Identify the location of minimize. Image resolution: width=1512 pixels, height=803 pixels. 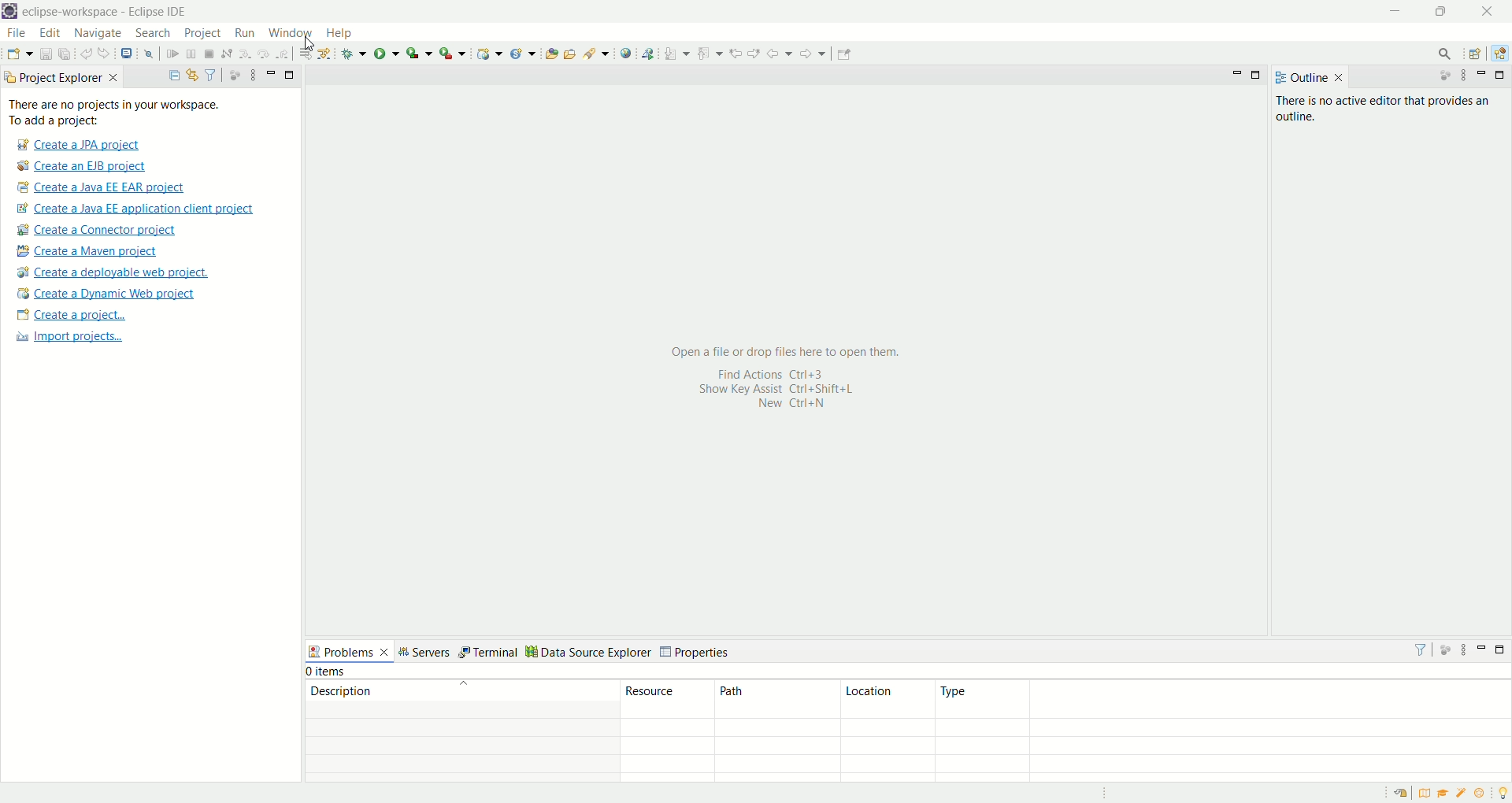
(1481, 649).